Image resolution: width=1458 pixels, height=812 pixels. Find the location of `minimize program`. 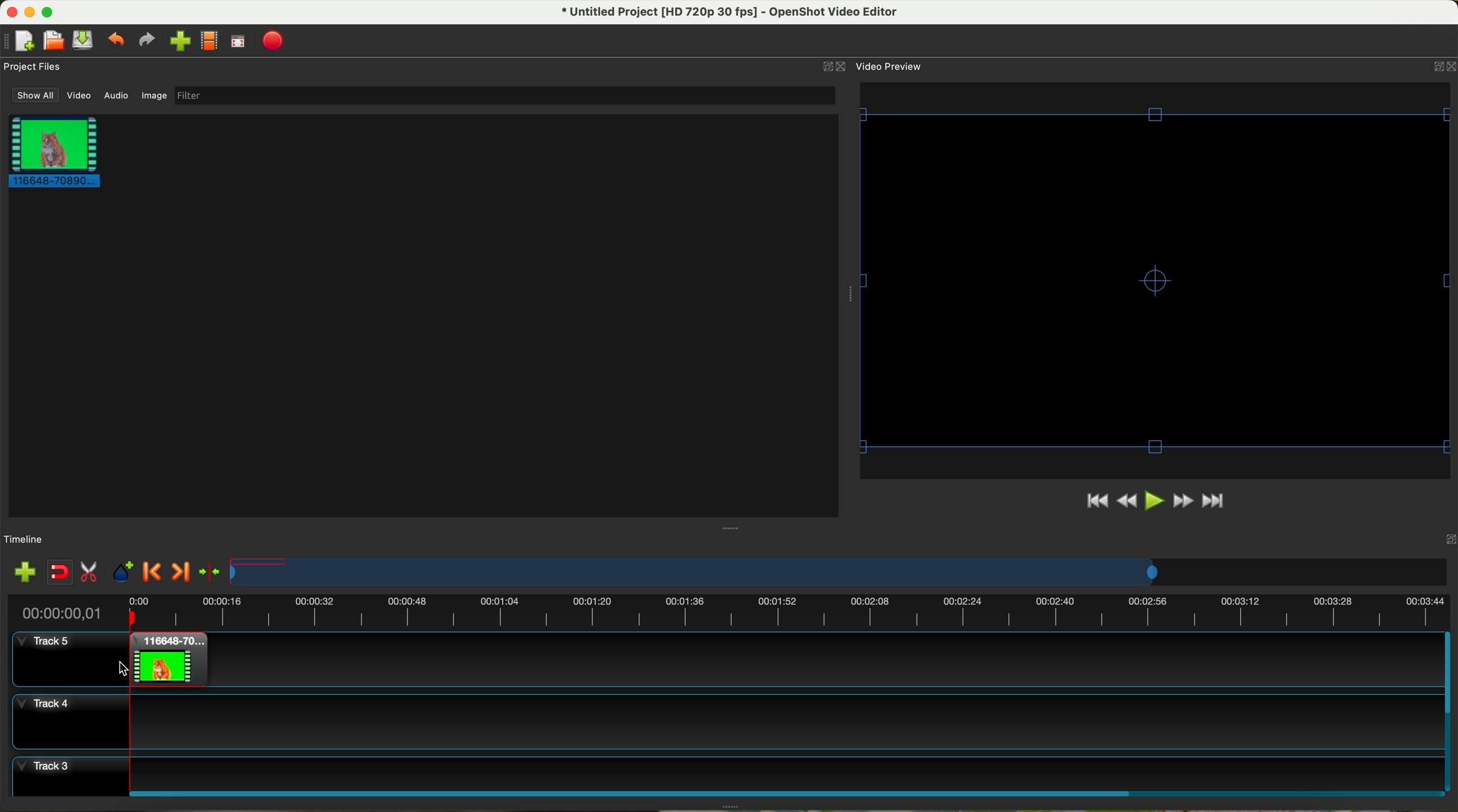

minimize program is located at coordinates (31, 12).